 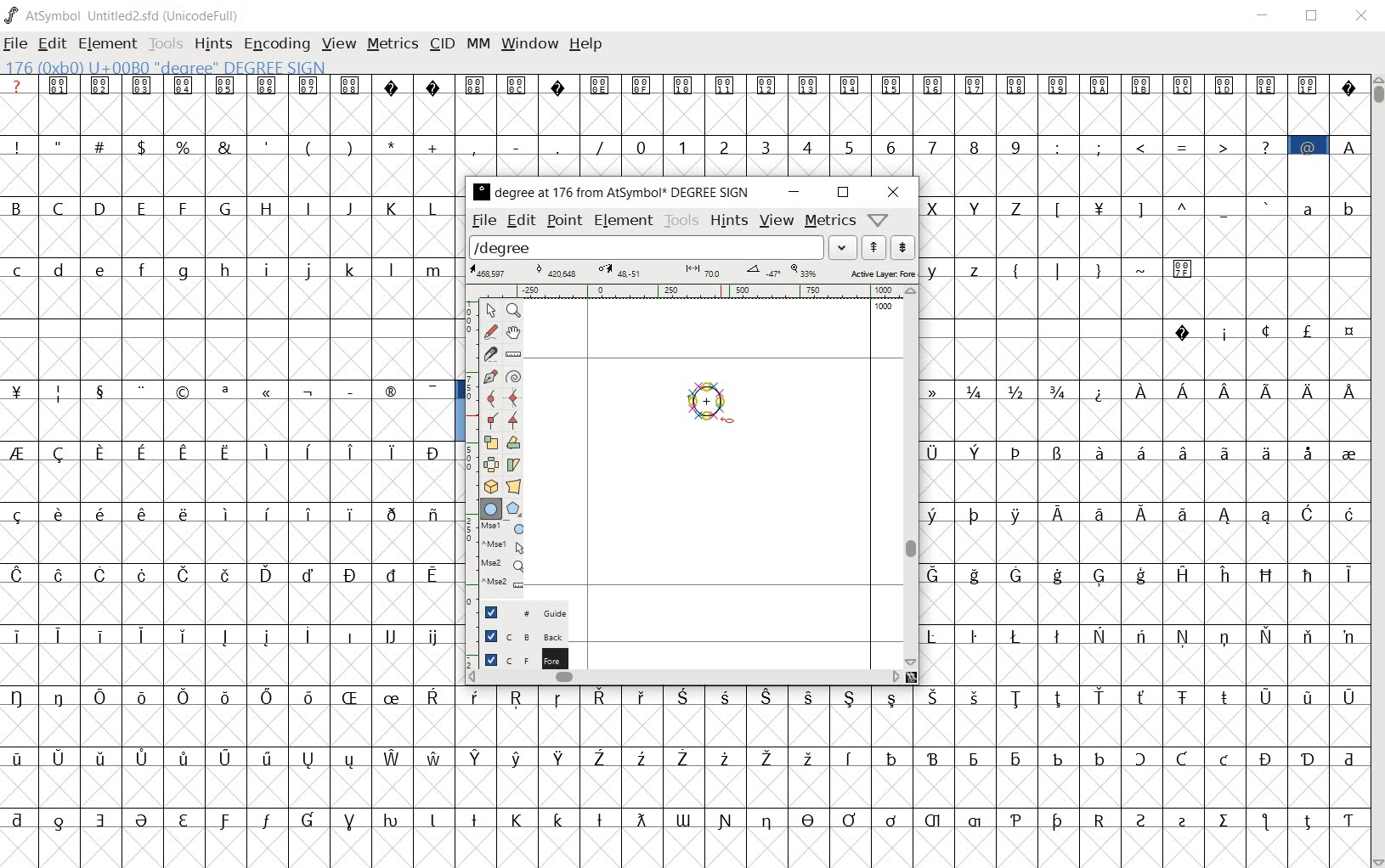 I want to click on add a curve point always either horizontal or vertical, so click(x=515, y=397).